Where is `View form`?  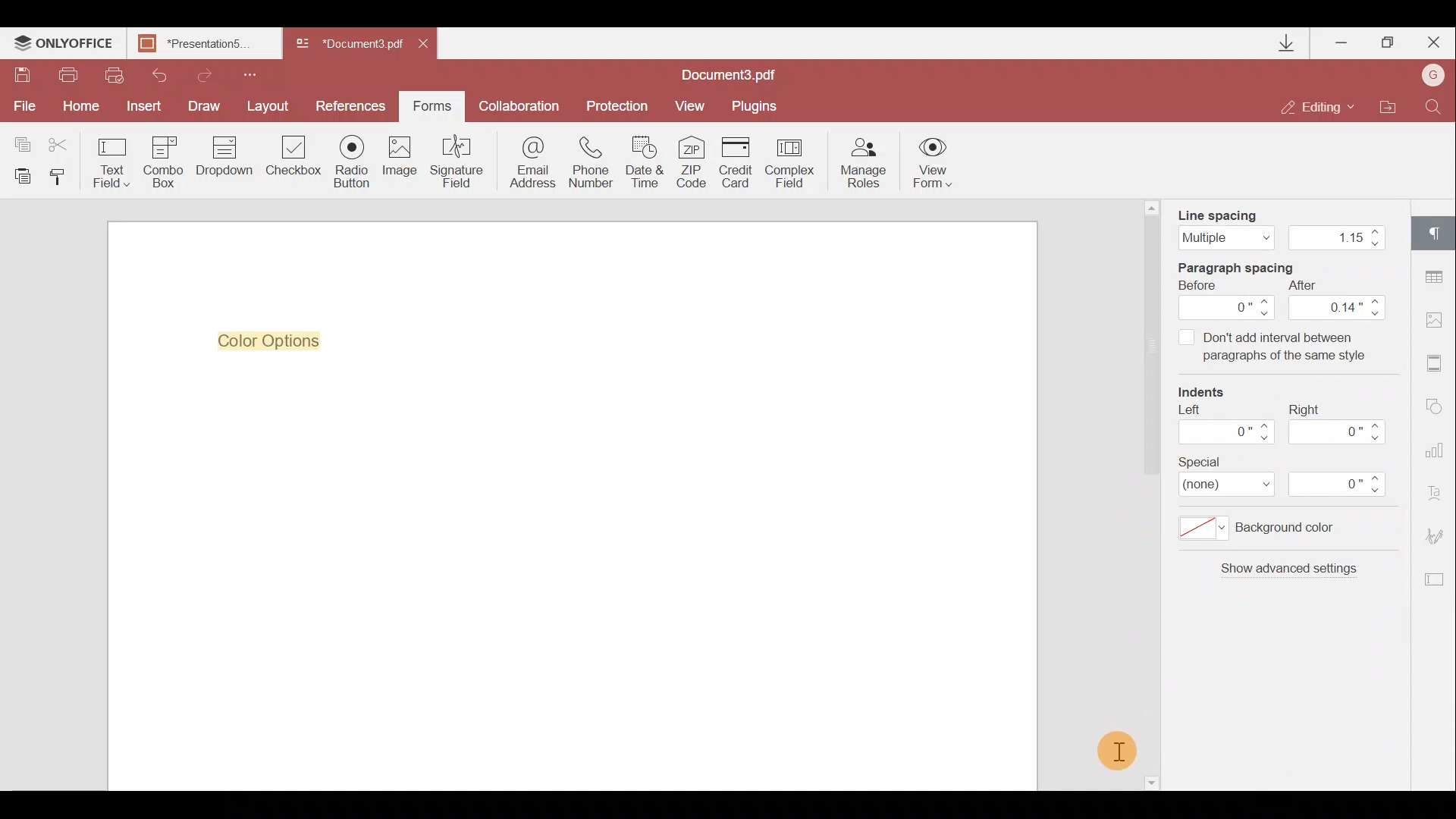
View form is located at coordinates (931, 162).